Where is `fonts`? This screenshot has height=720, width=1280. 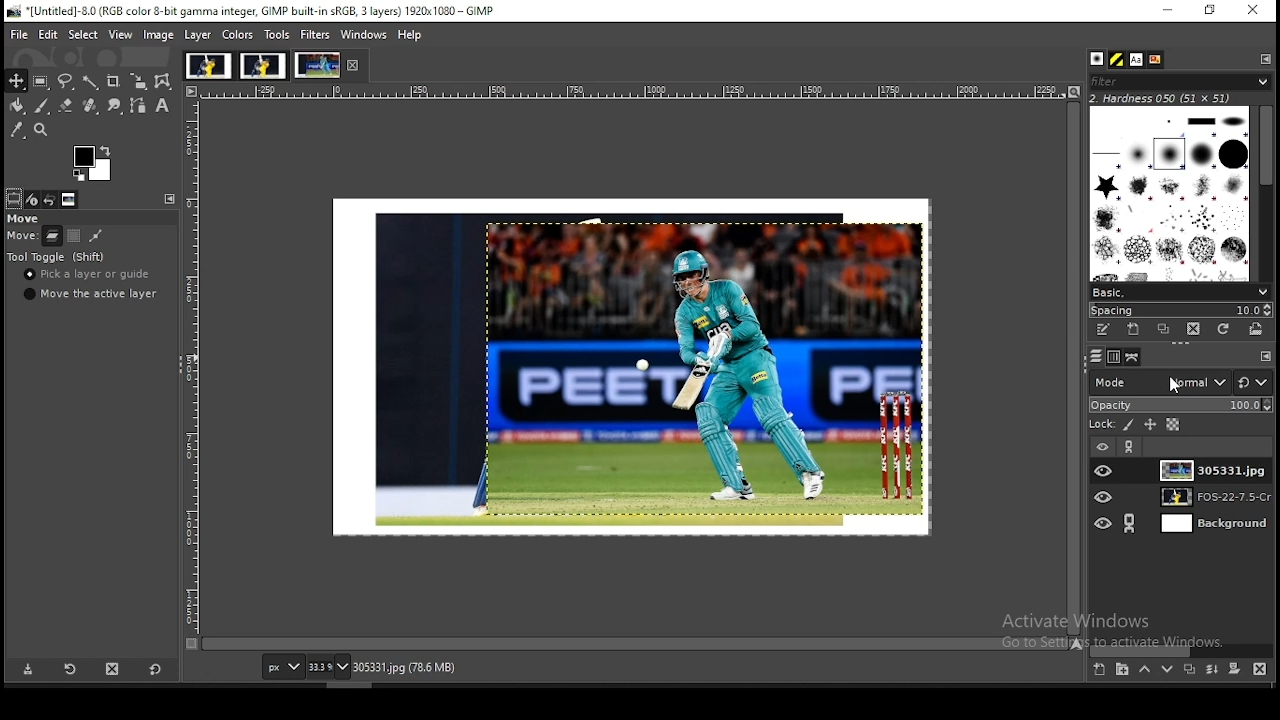 fonts is located at coordinates (1136, 59).